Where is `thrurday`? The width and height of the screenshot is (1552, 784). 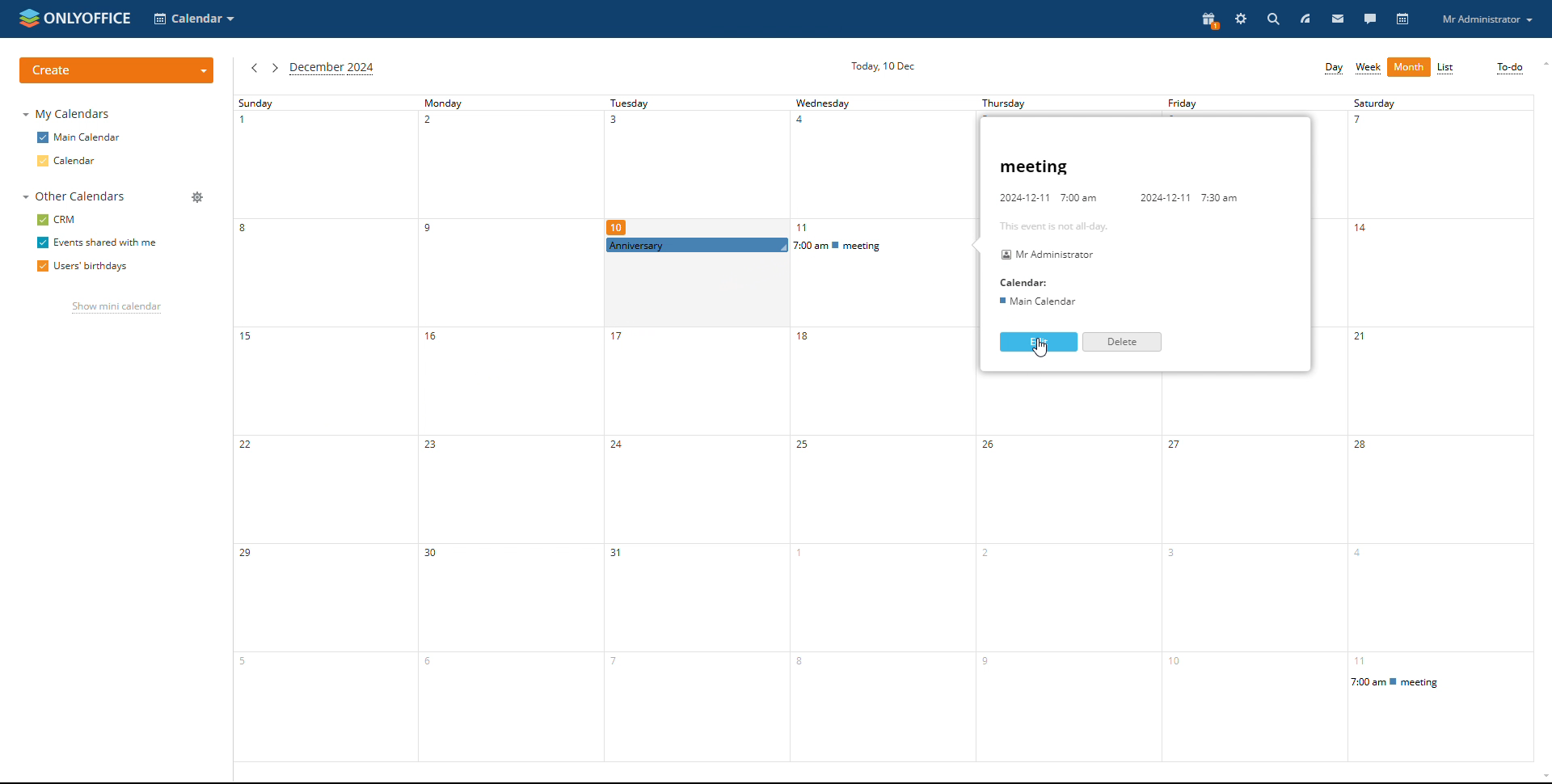
thrurday is located at coordinates (1029, 100).